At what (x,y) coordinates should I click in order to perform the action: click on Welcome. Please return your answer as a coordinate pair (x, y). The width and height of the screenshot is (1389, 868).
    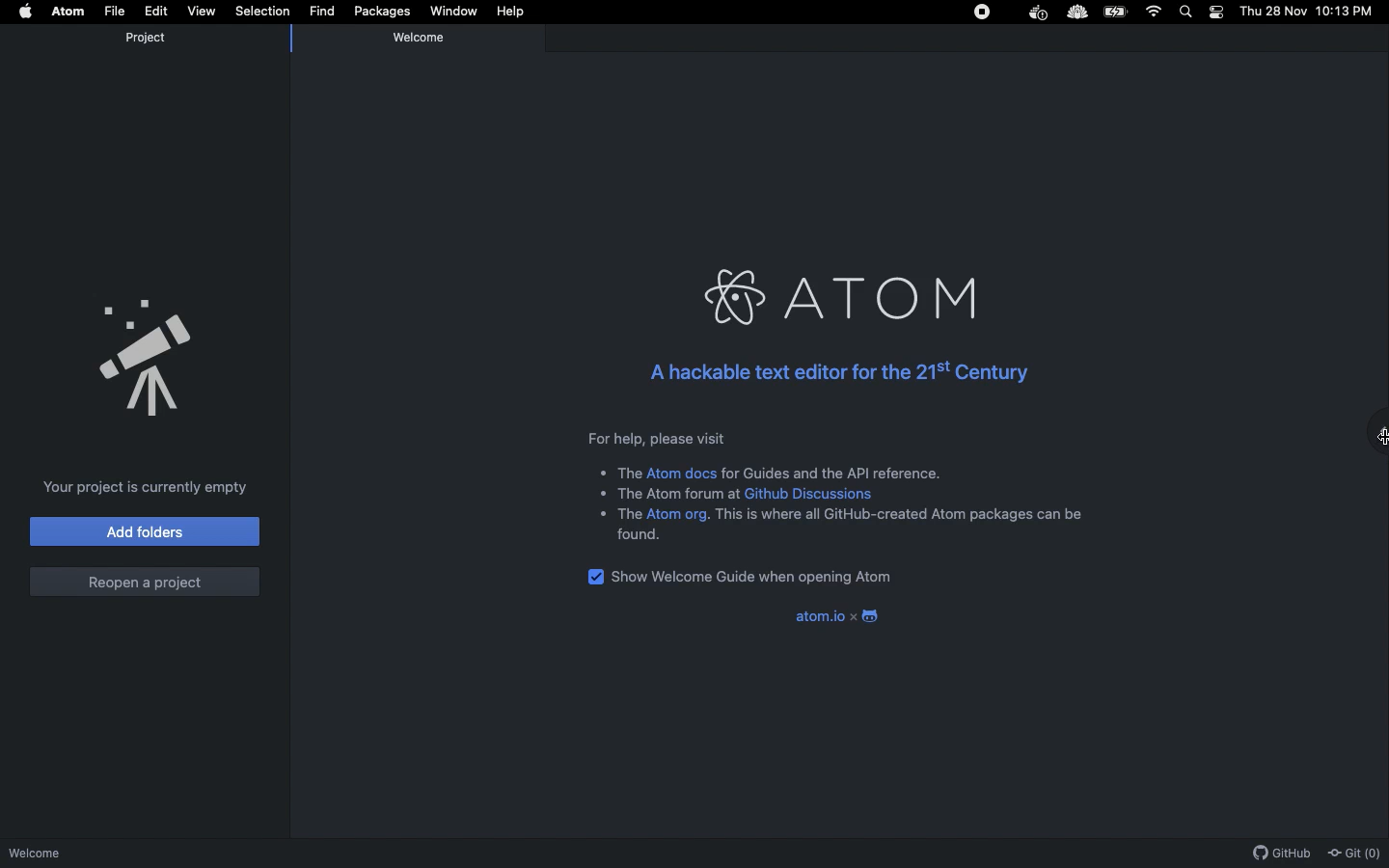
    Looking at the image, I should click on (91, 853).